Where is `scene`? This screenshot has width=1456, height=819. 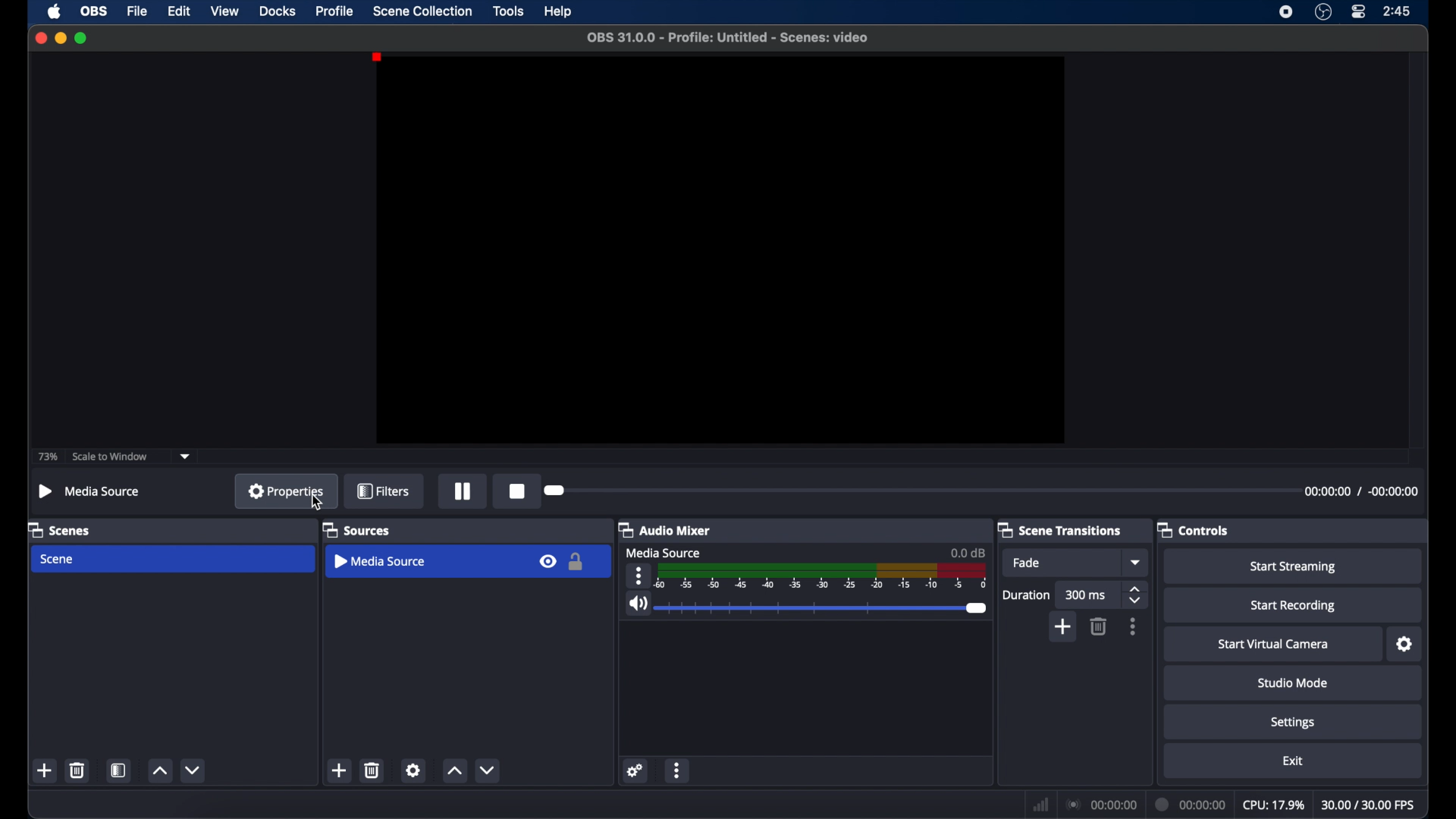 scene is located at coordinates (58, 559).